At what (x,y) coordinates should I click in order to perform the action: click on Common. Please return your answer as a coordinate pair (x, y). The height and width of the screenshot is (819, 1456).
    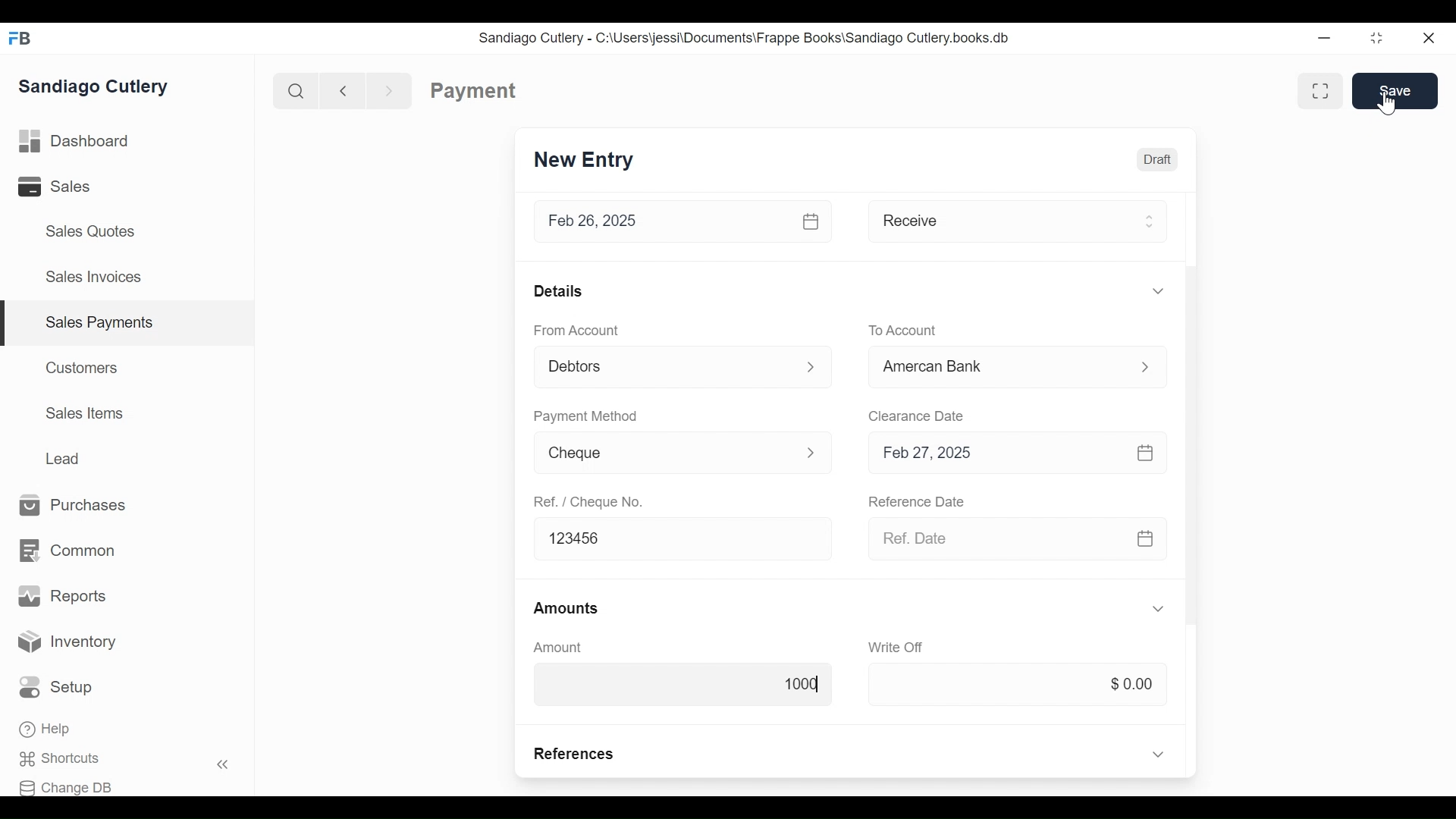
    Looking at the image, I should click on (66, 551).